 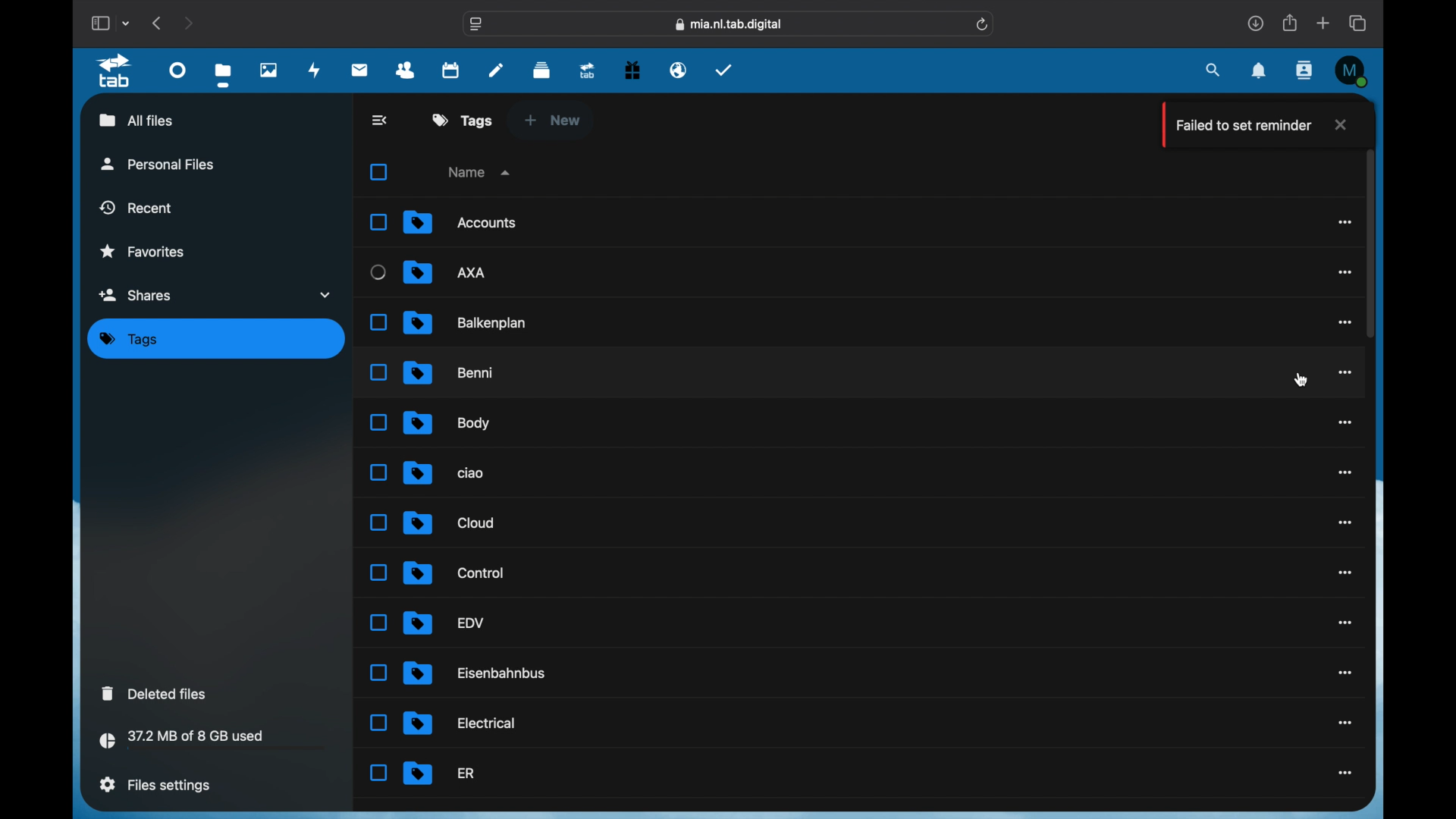 I want to click on more options, so click(x=1342, y=322).